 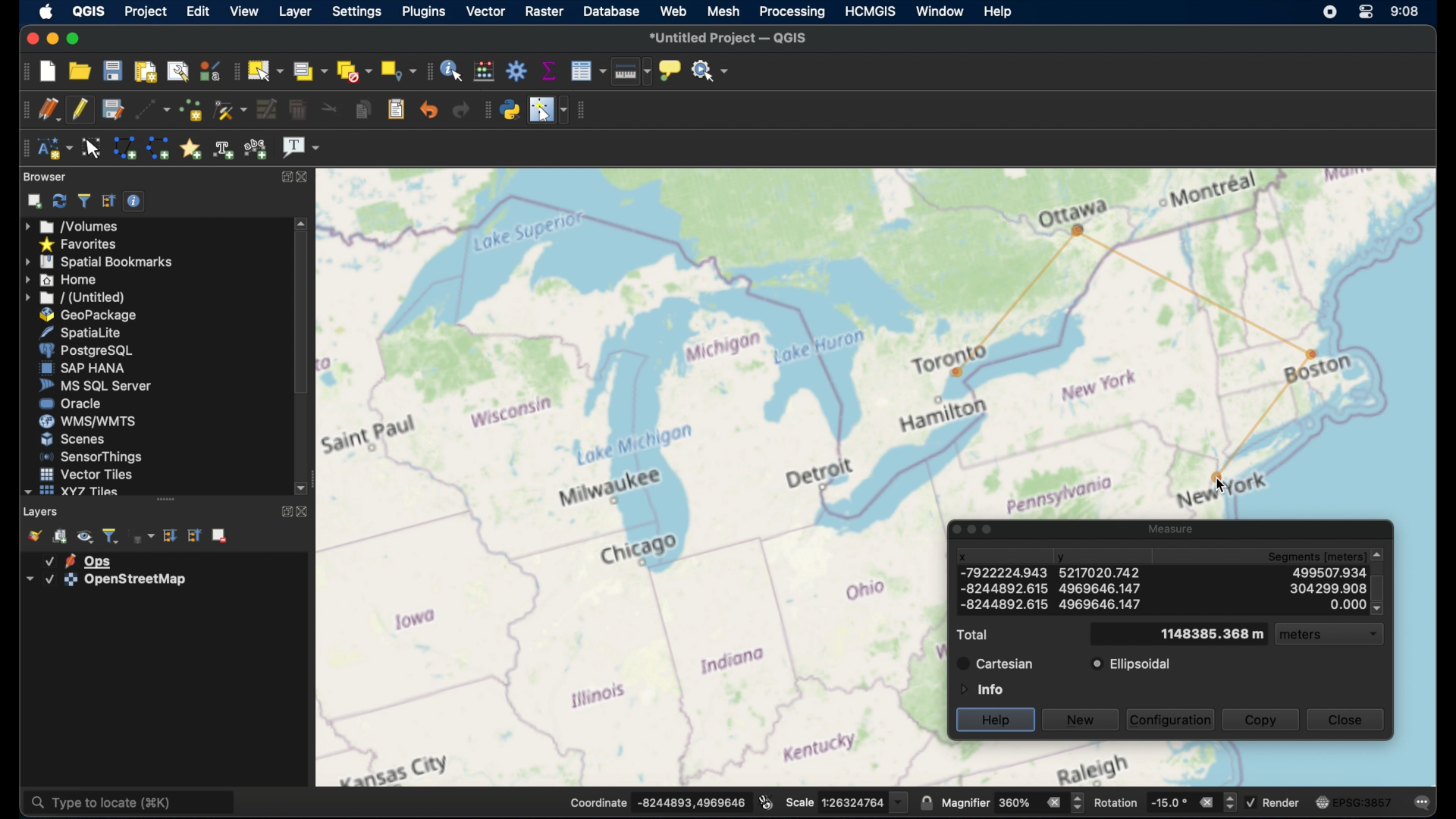 I want to click on close, so click(x=951, y=529).